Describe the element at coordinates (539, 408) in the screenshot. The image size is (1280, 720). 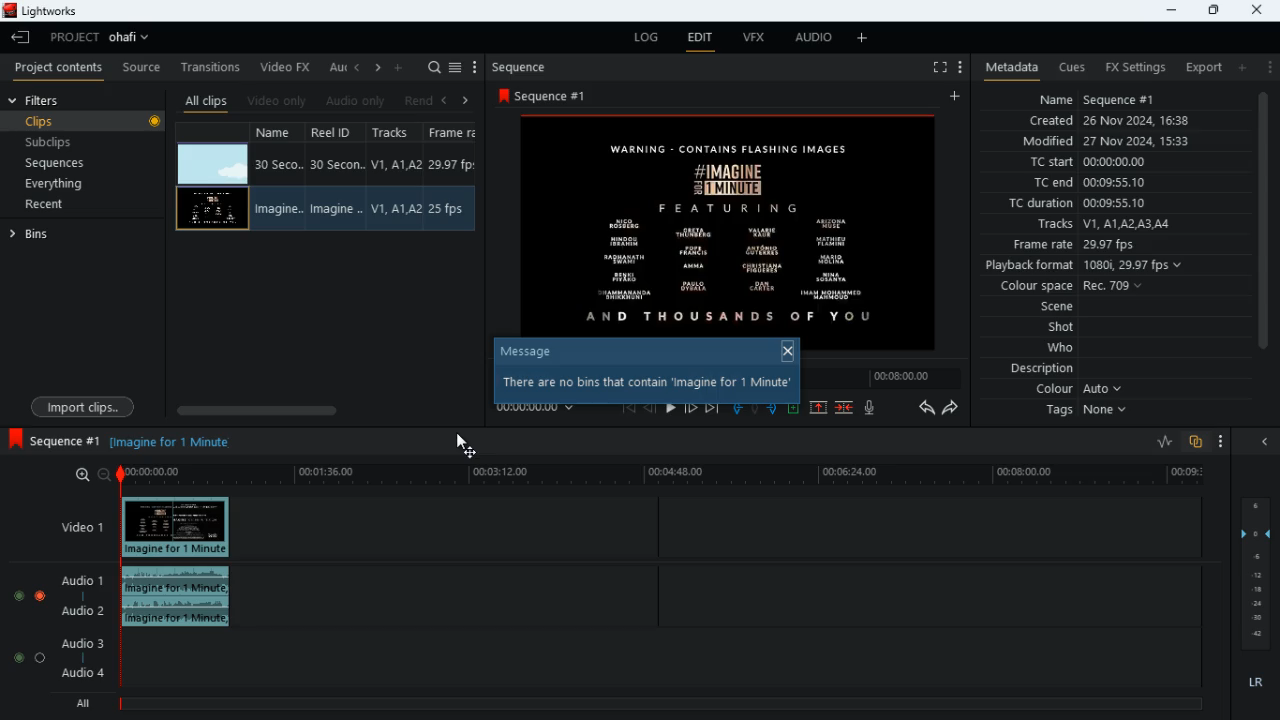
I see `time` at that location.